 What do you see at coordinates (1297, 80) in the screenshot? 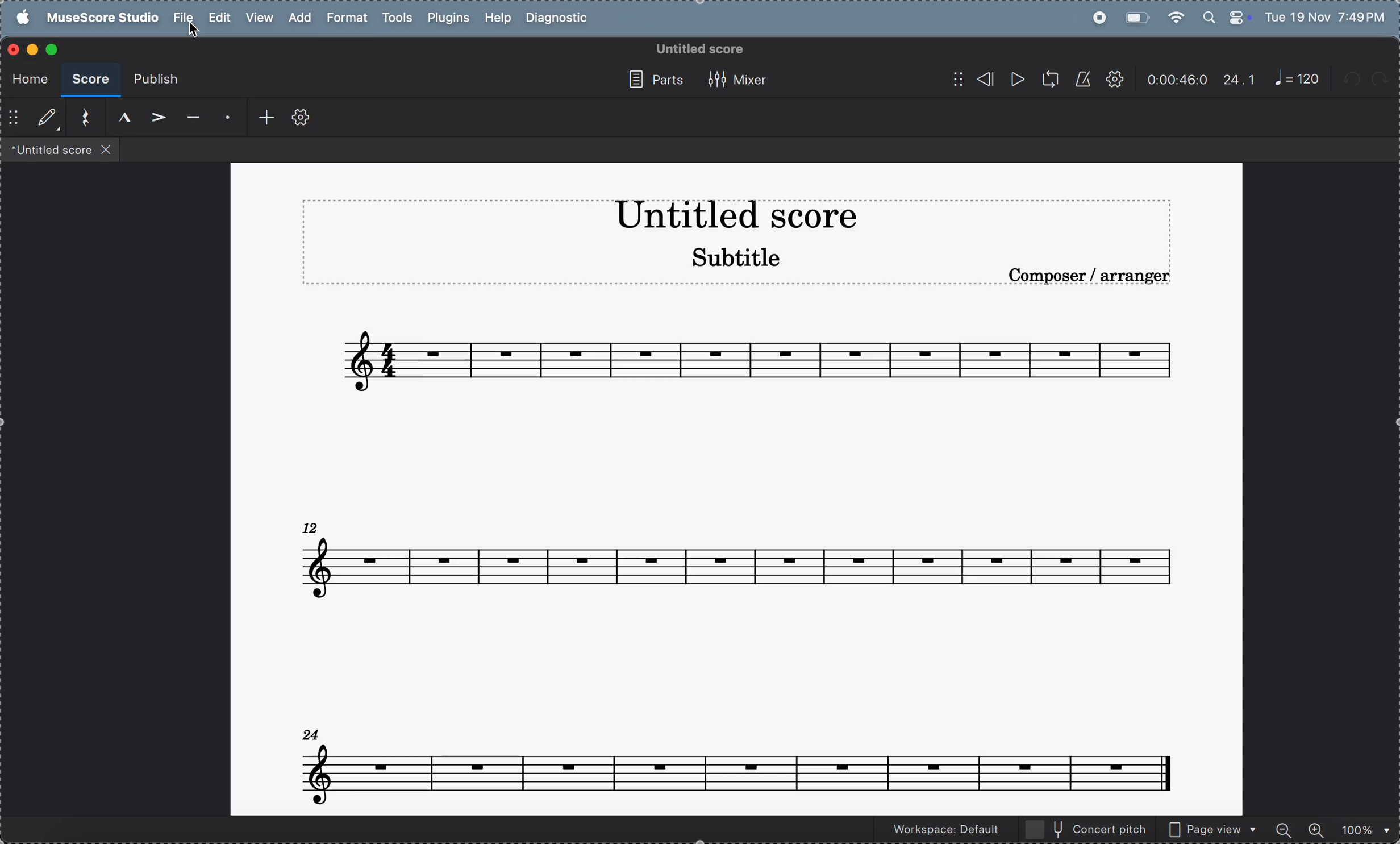
I see `note 120` at bounding box center [1297, 80].